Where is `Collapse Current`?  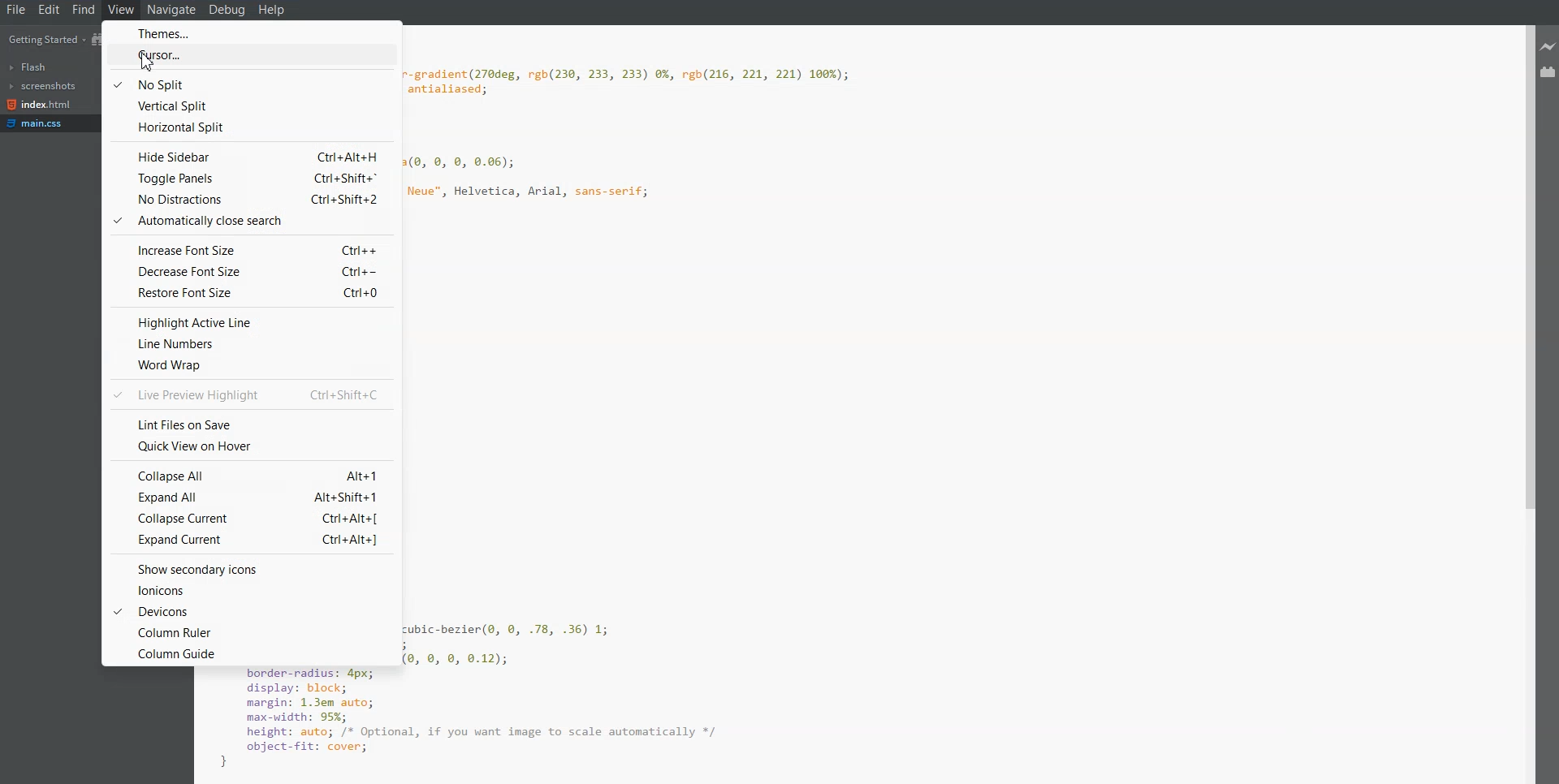
Collapse Current is located at coordinates (249, 519).